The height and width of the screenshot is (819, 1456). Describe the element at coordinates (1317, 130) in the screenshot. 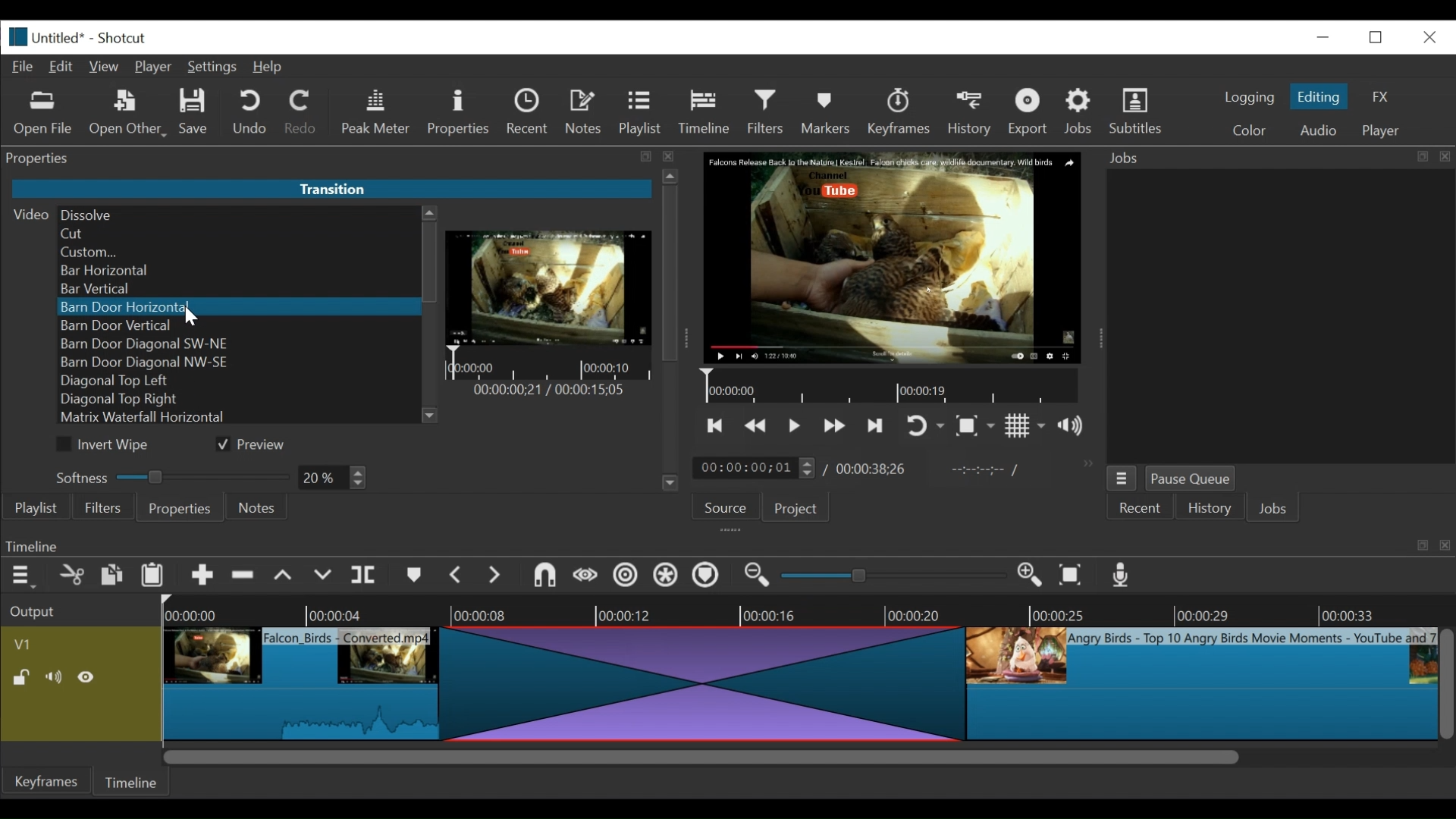

I see `Audio` at that location.